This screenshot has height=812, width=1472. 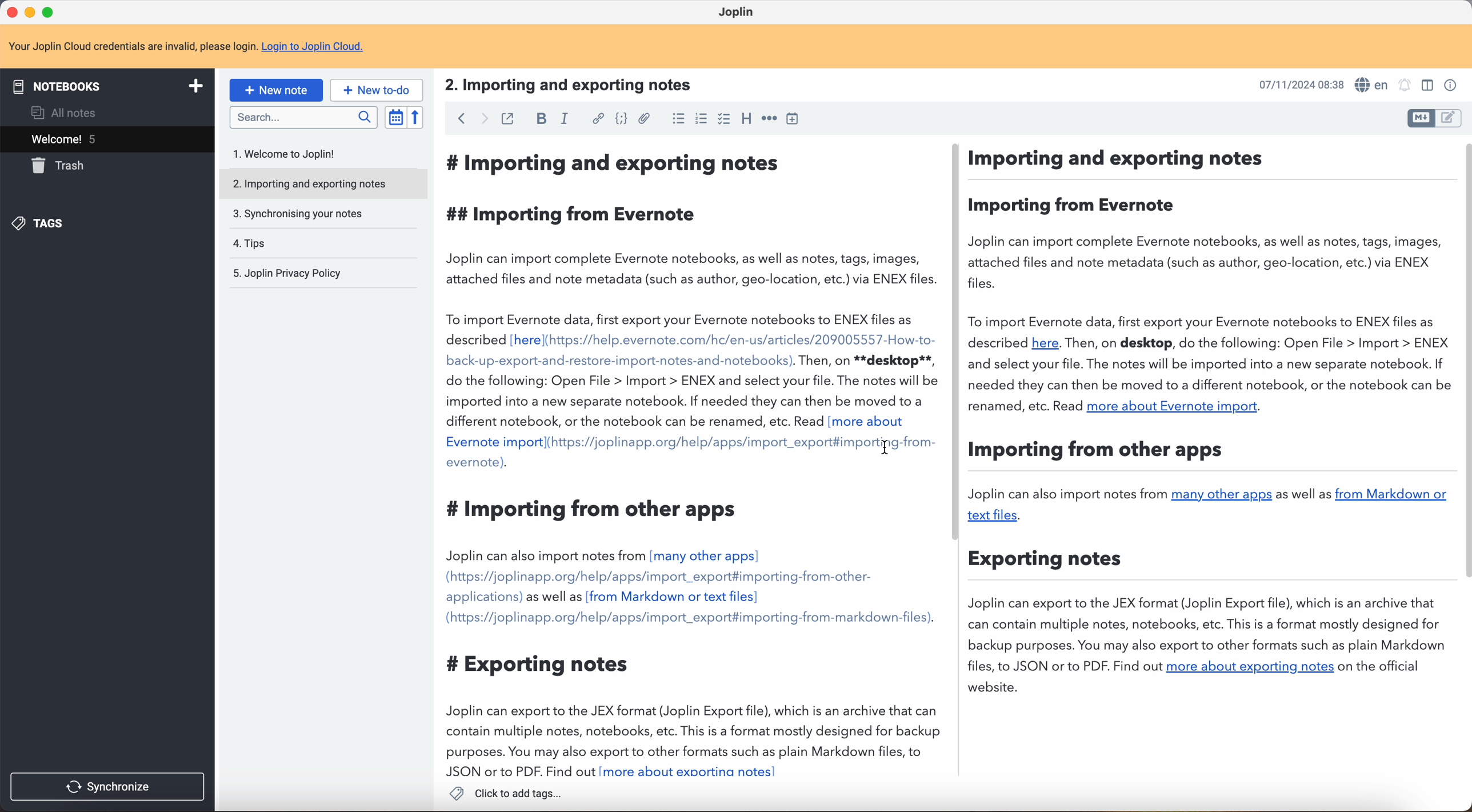 I want to click on toggle editor layout, so click(x=1421, y=118).